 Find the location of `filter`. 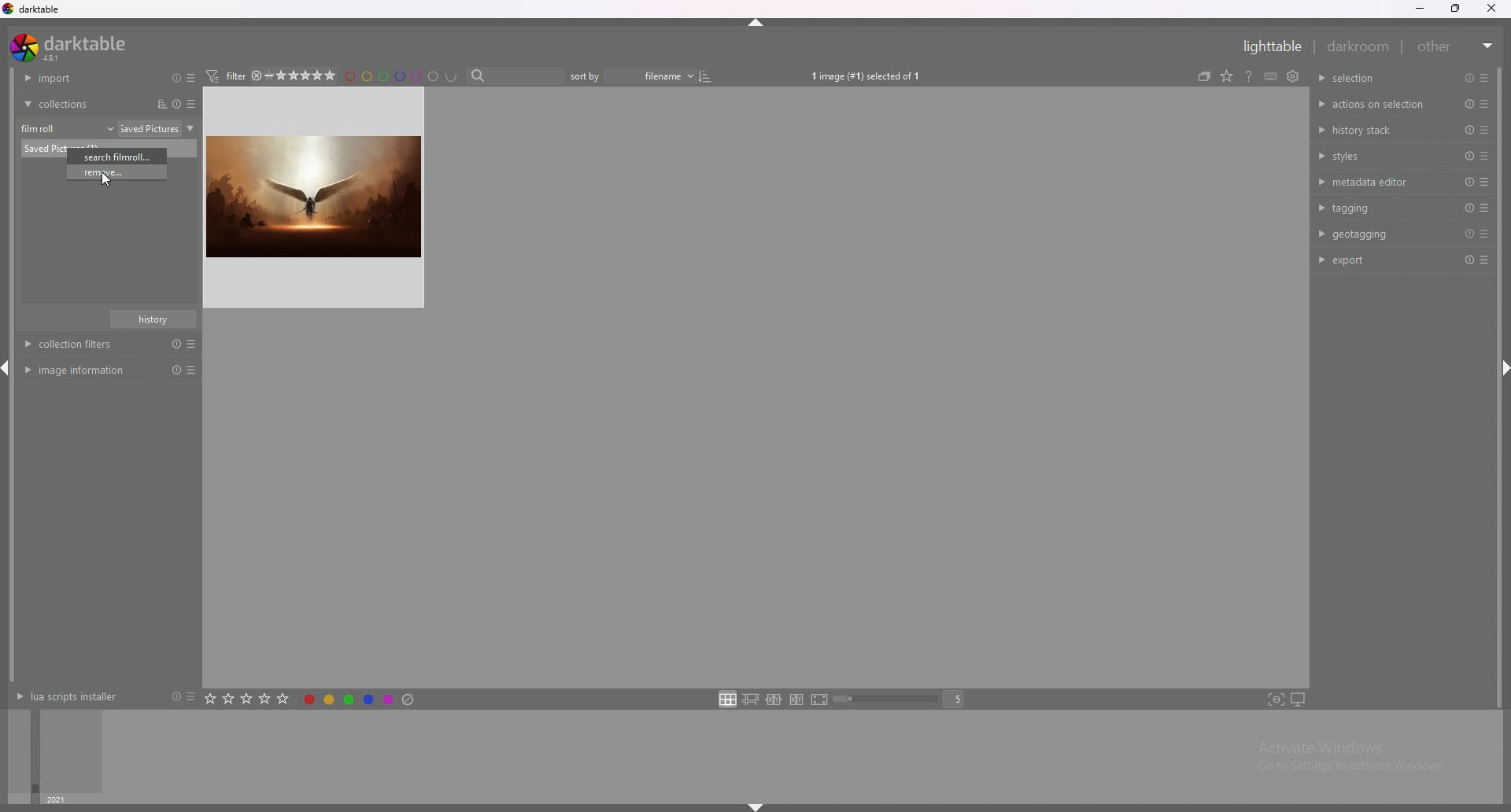

filter is located at coordinates (232, 76).